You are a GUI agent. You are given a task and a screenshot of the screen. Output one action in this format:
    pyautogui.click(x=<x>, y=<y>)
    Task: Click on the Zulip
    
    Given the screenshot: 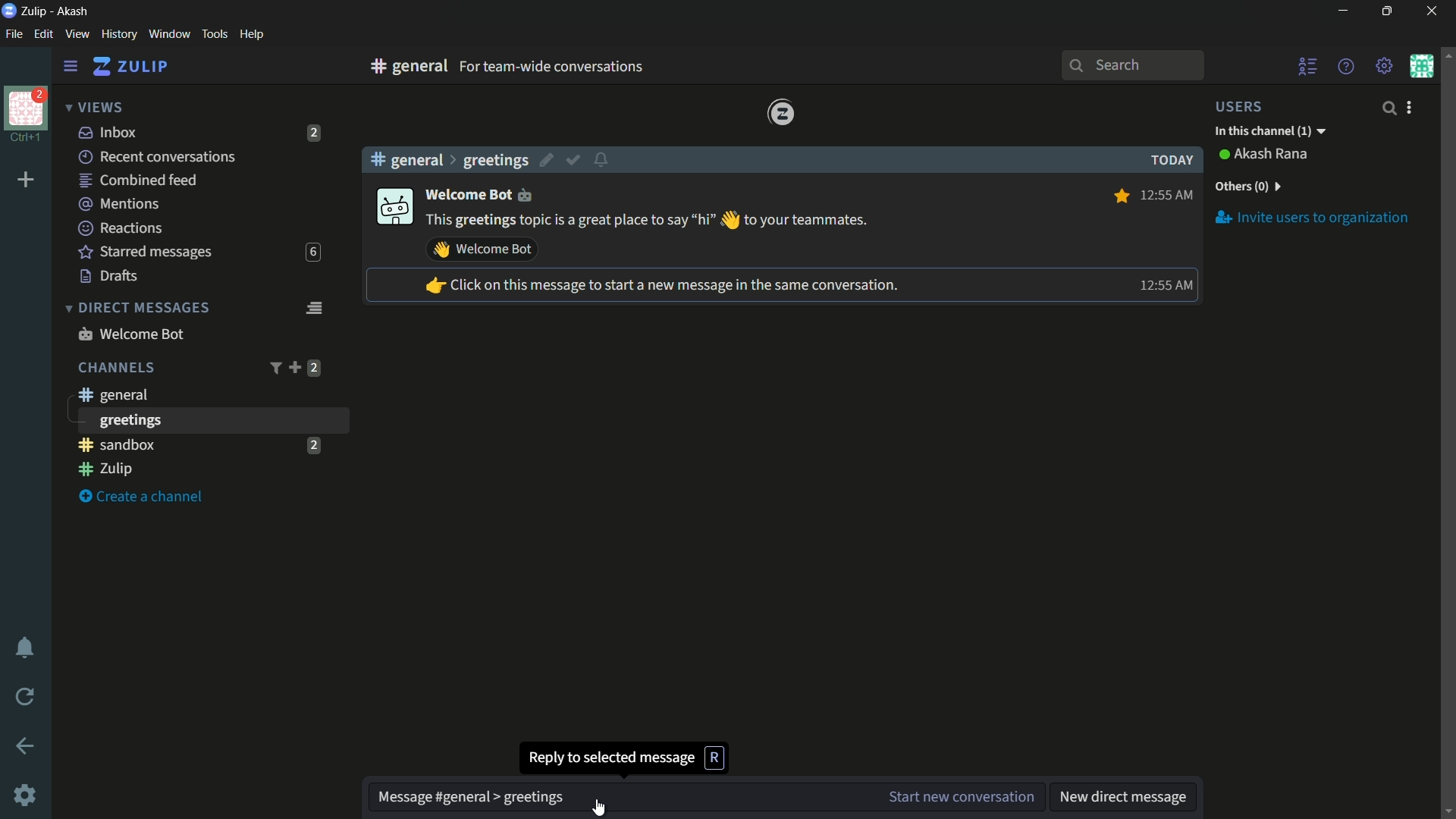 What is the action you would take?
    pyautogui.click(x=36, y=11)
    